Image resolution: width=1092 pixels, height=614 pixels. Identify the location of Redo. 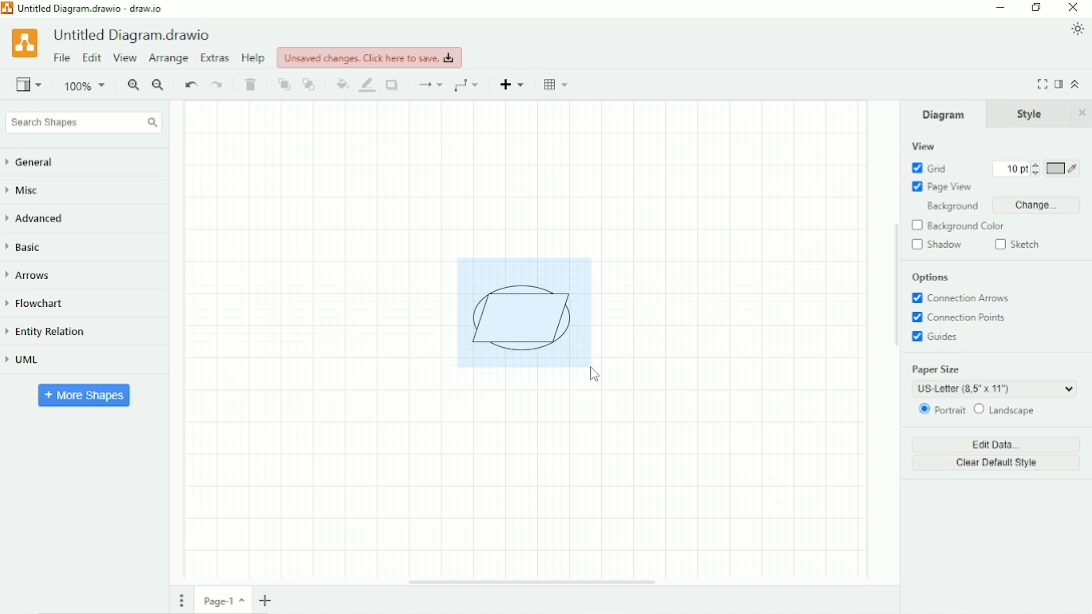
(218, 85).